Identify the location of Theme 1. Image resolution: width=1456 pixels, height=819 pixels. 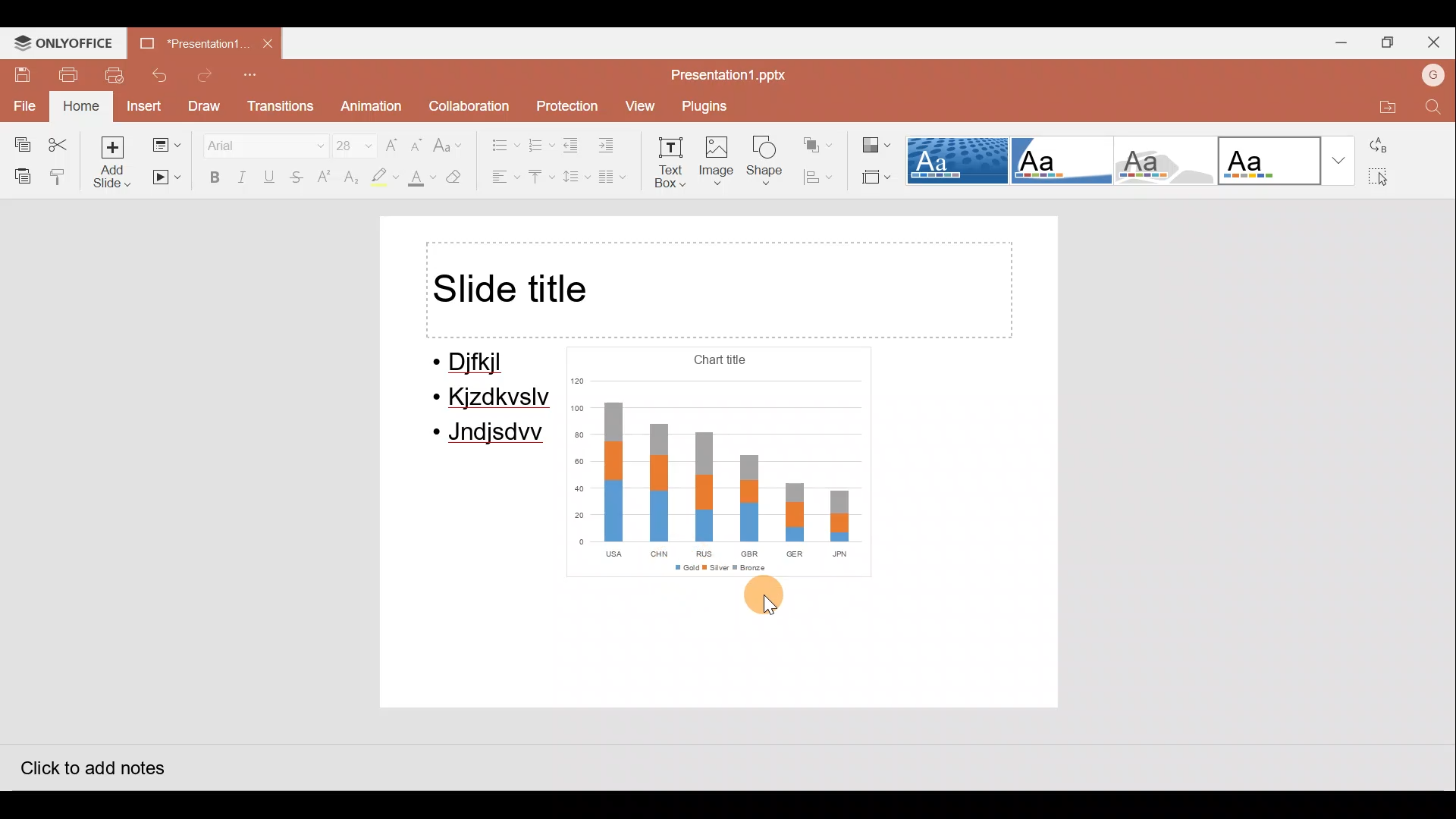
(959, 162).